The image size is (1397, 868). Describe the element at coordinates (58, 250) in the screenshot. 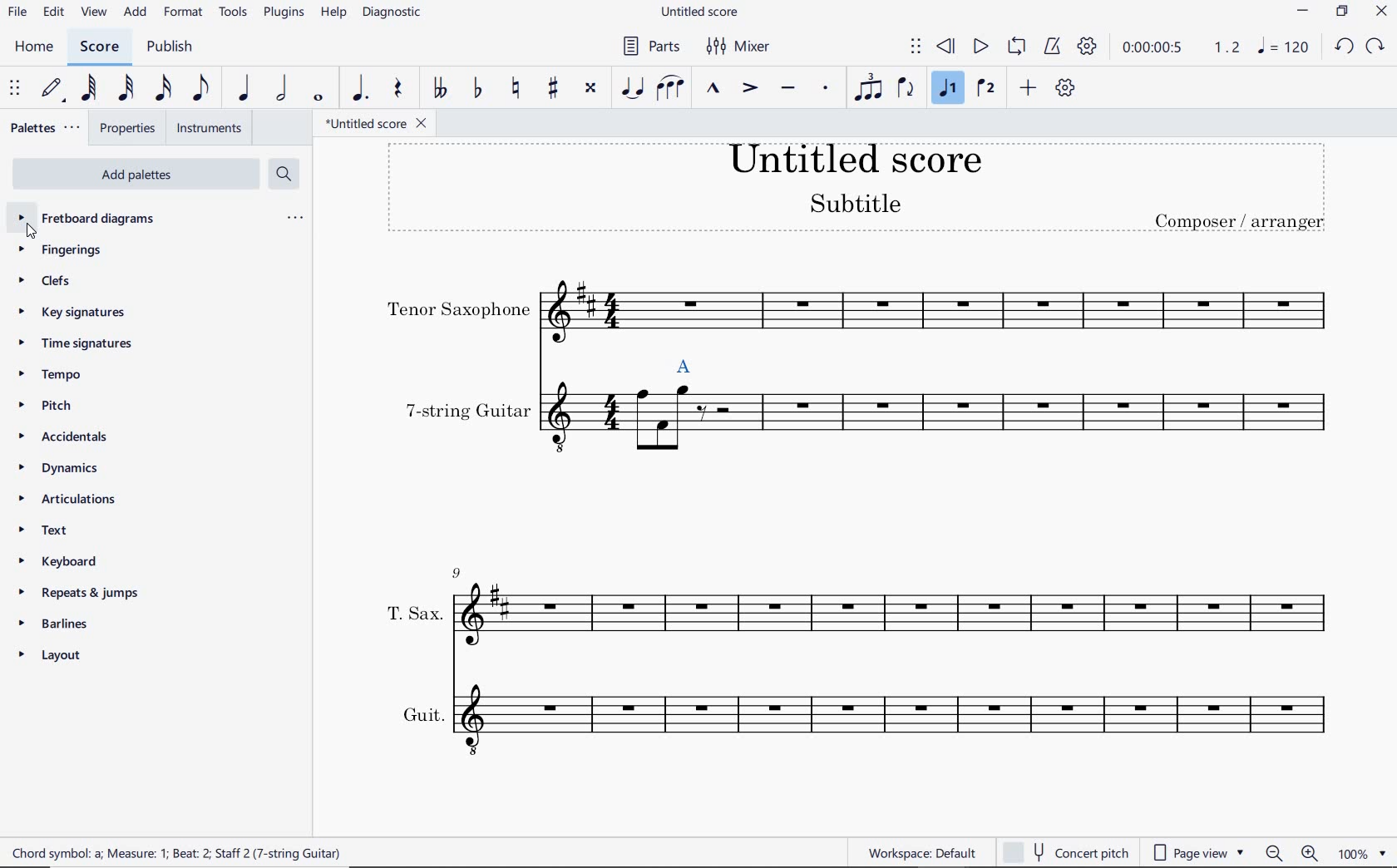

I see `FINGERINGS` at that location.